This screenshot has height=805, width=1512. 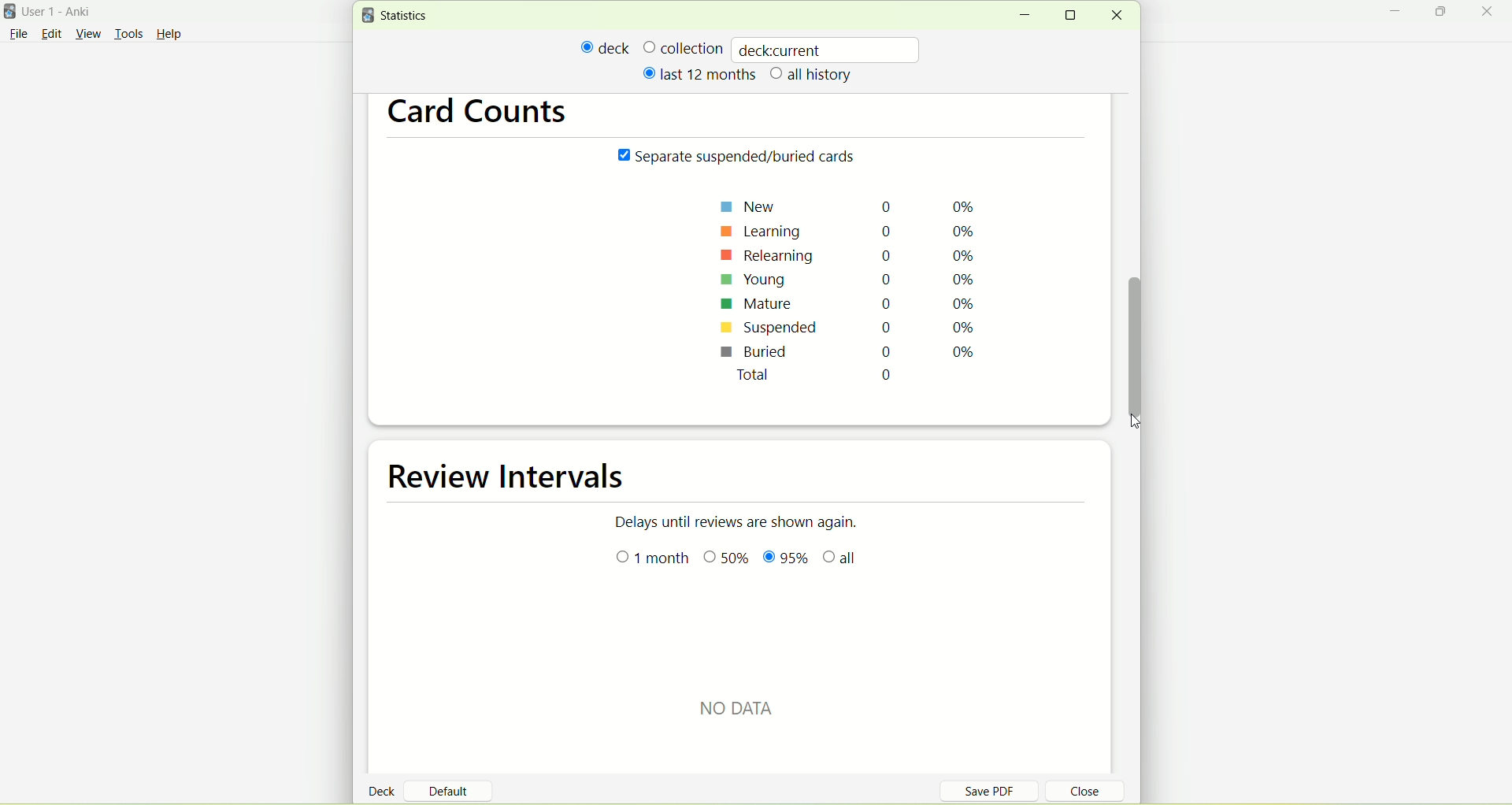 What do you see at coordinates (753, 706) in the screenshot?
I see `text` at bounding box center [753, 706].